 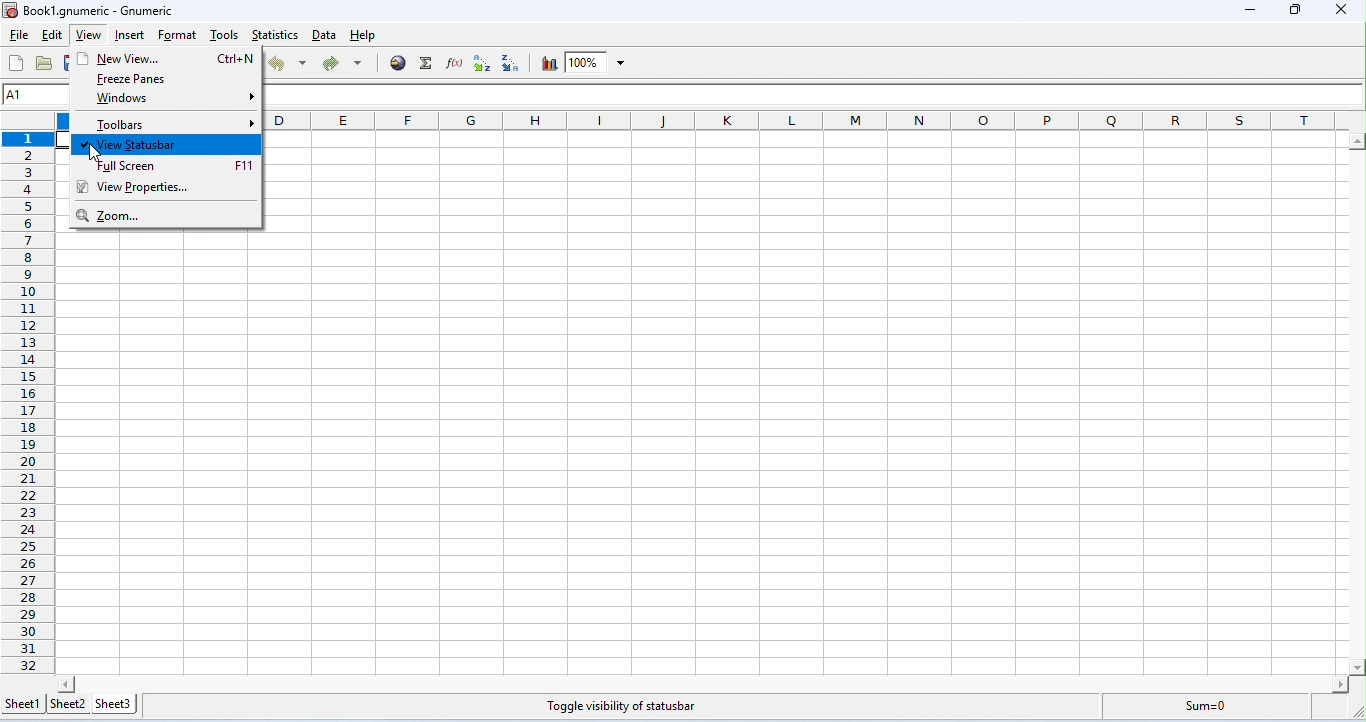 What do you see at coordinates (815, 94) in the screenshot?
I see `formula bar` at bounding box center [815, 94].